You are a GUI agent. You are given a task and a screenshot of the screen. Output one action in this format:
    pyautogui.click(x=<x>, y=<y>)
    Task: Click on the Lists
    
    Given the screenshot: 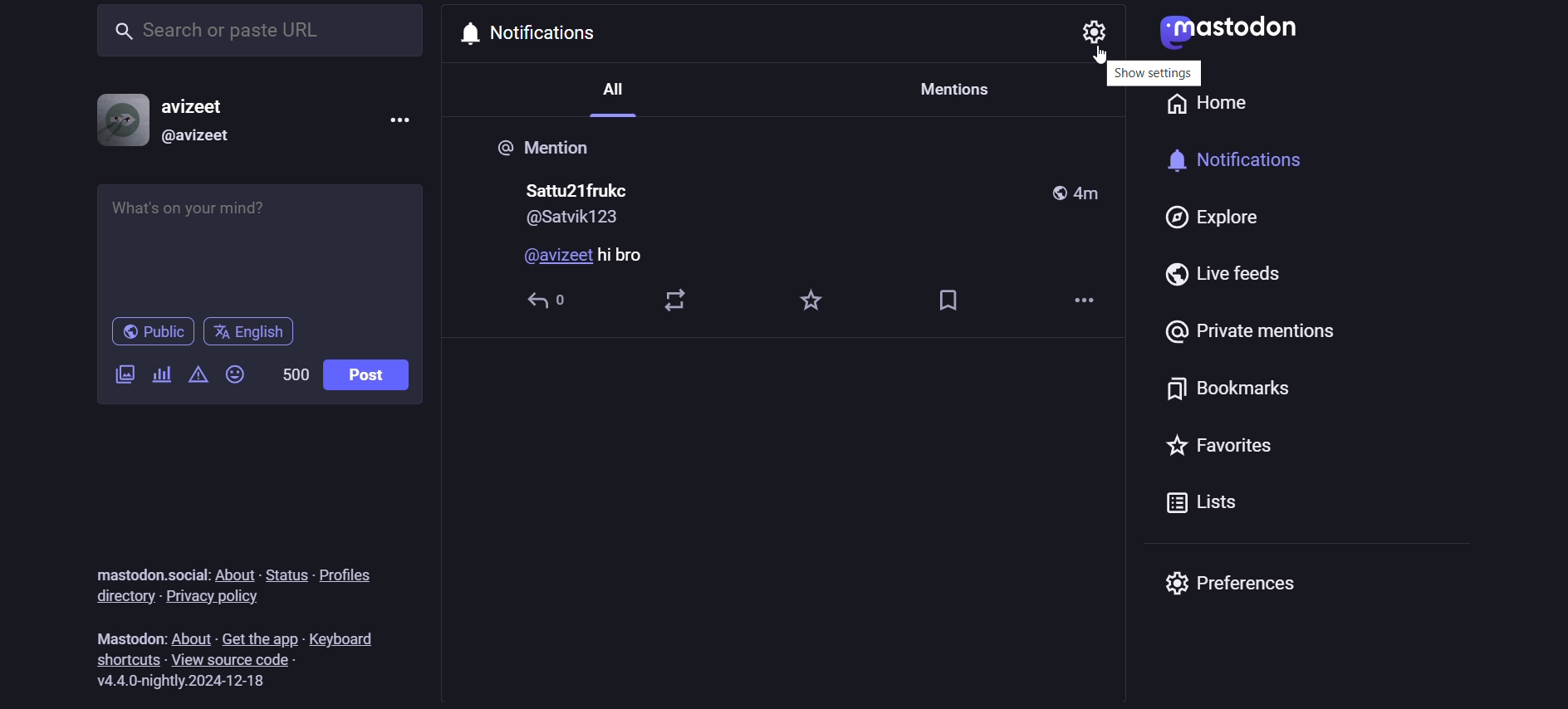 What is the action you would take?
    pyautogui.click(x=1208, y=506)
    